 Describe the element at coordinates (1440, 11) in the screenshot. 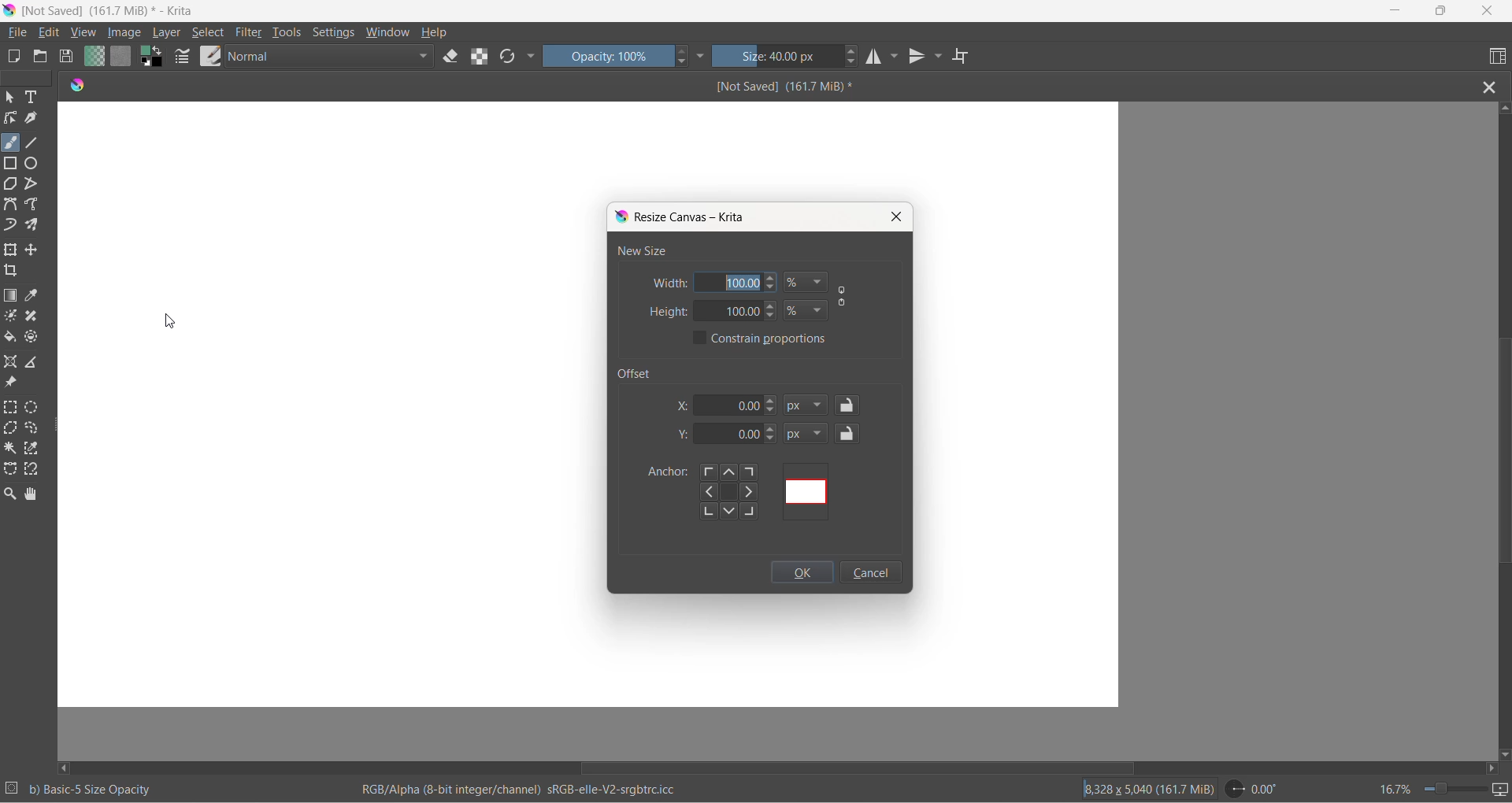

I see `maximize` at that location.